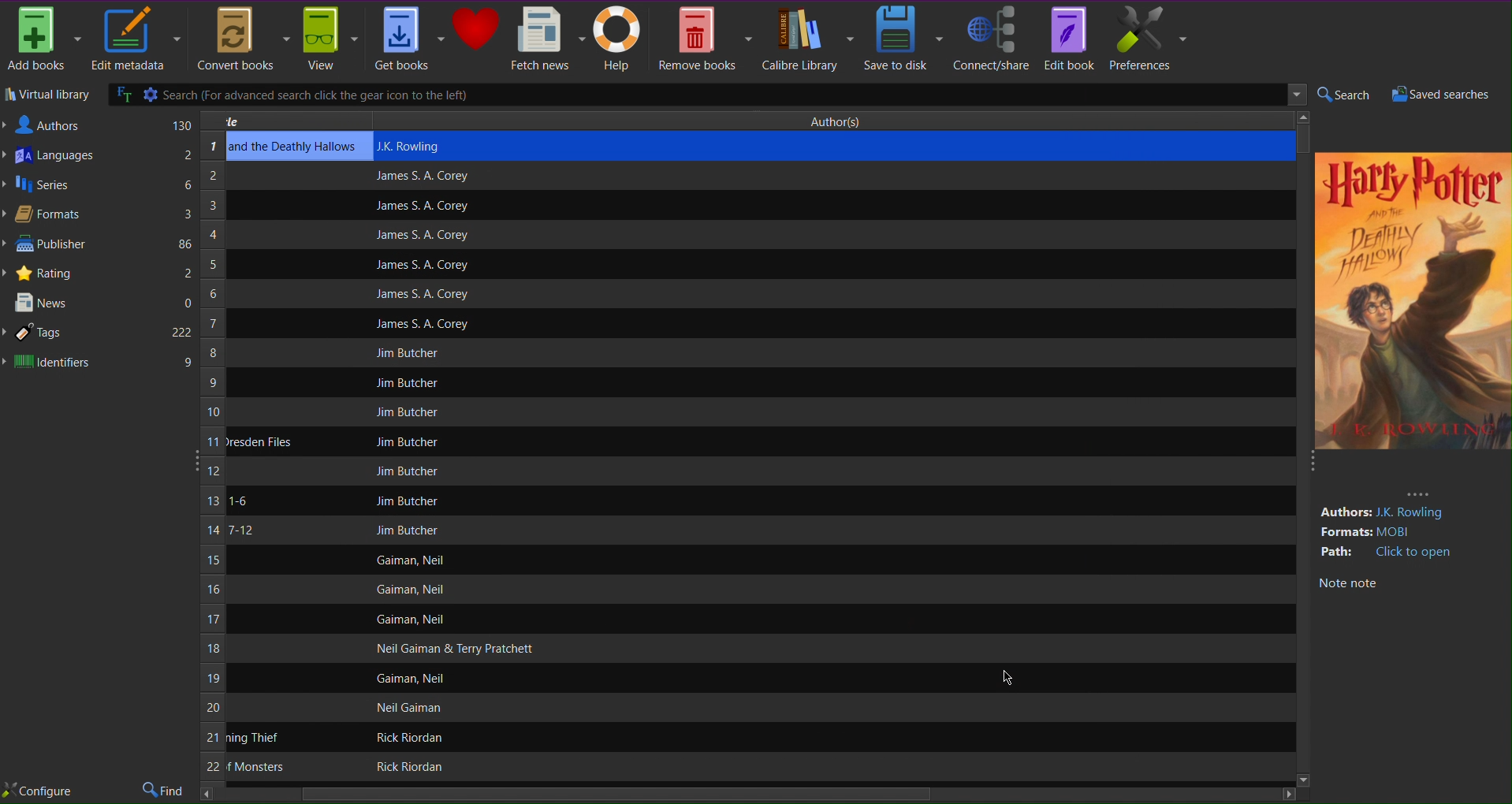 Image resolution: width=1512 pixels, height=804 pixels. I want to click on Jim Butcher, so click(403, 384).